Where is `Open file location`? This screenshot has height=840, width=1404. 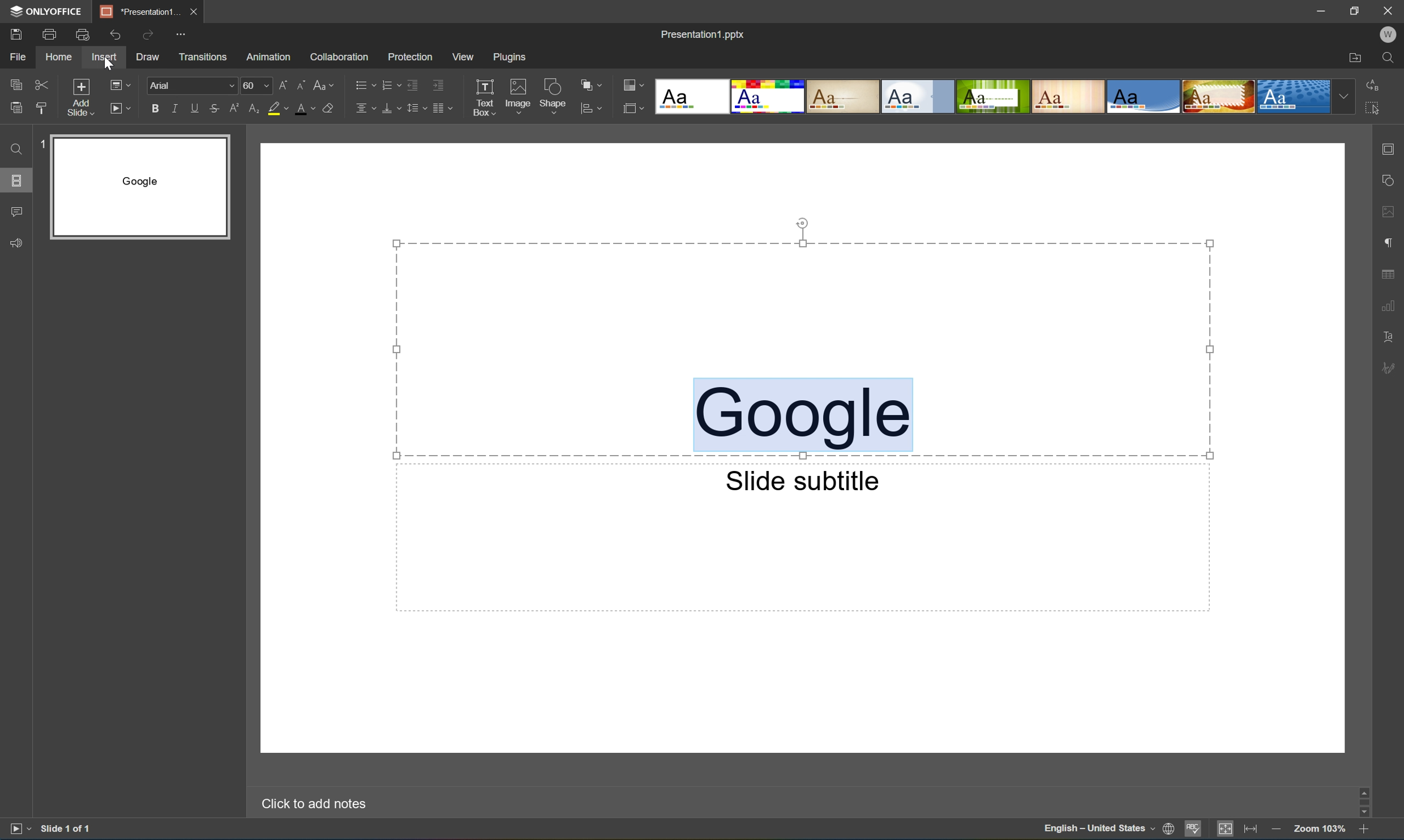 Open file location is located at coordinates (1355, 59).